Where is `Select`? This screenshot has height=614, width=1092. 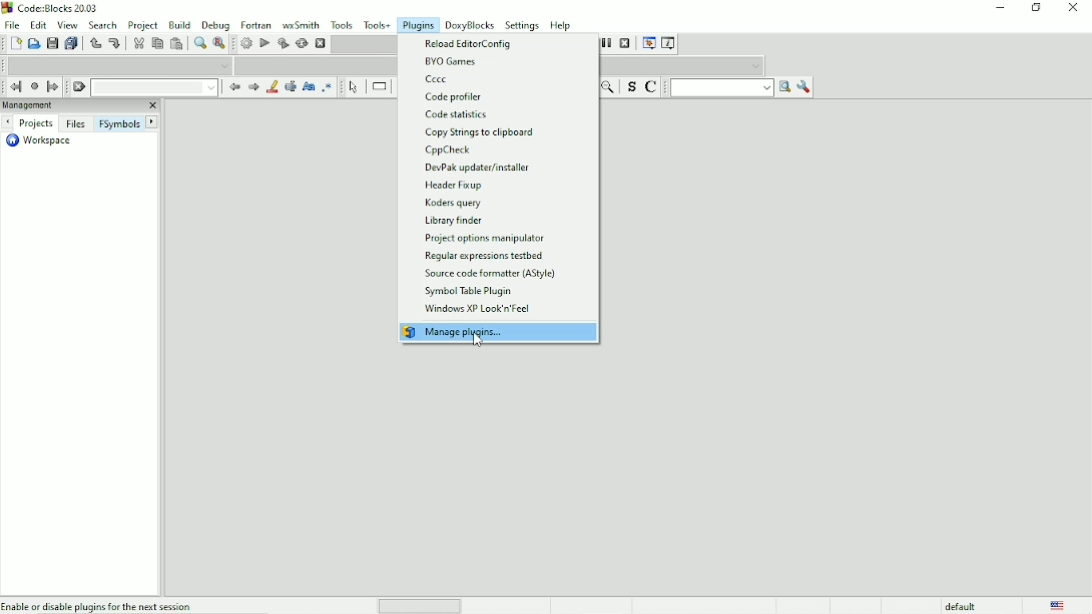
Select is located at coordinates (354, 86).